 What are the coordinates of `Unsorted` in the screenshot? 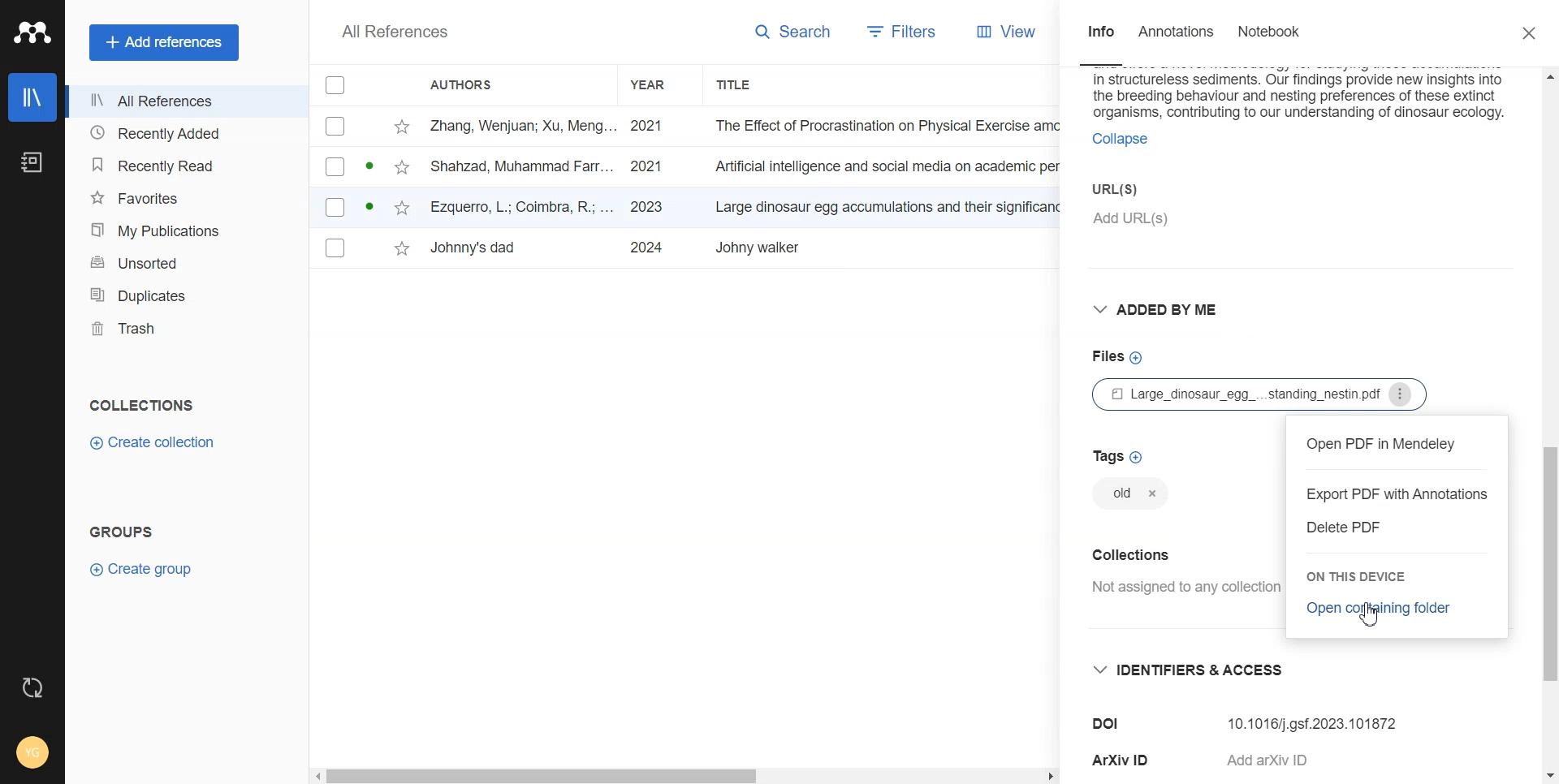 It's located at (177, 261).